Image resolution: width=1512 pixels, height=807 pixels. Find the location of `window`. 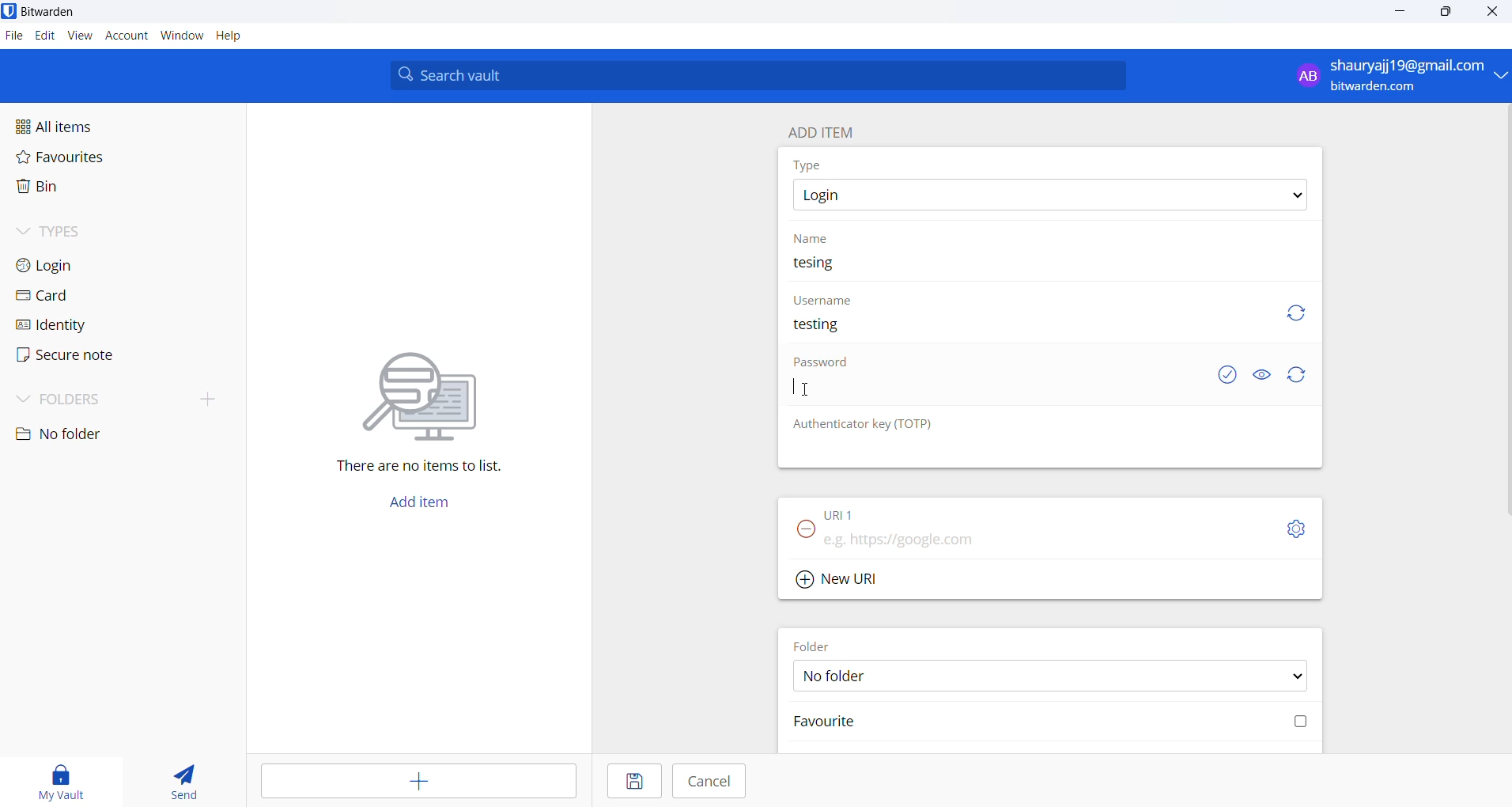

window is located at coordinates (181, 37).